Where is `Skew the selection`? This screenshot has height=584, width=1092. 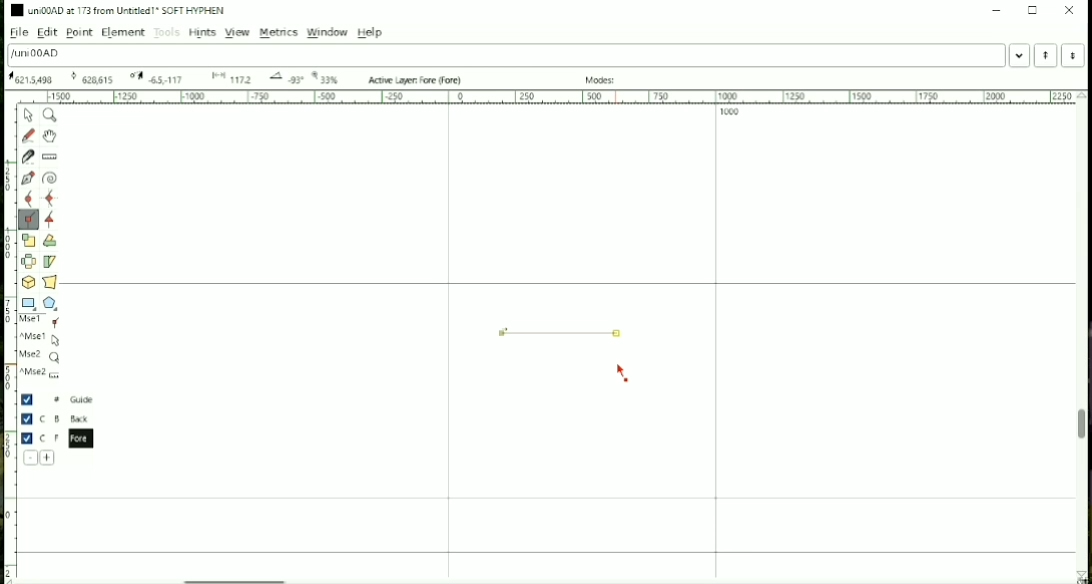
Skew the selection is located at coordinates (49, 262).